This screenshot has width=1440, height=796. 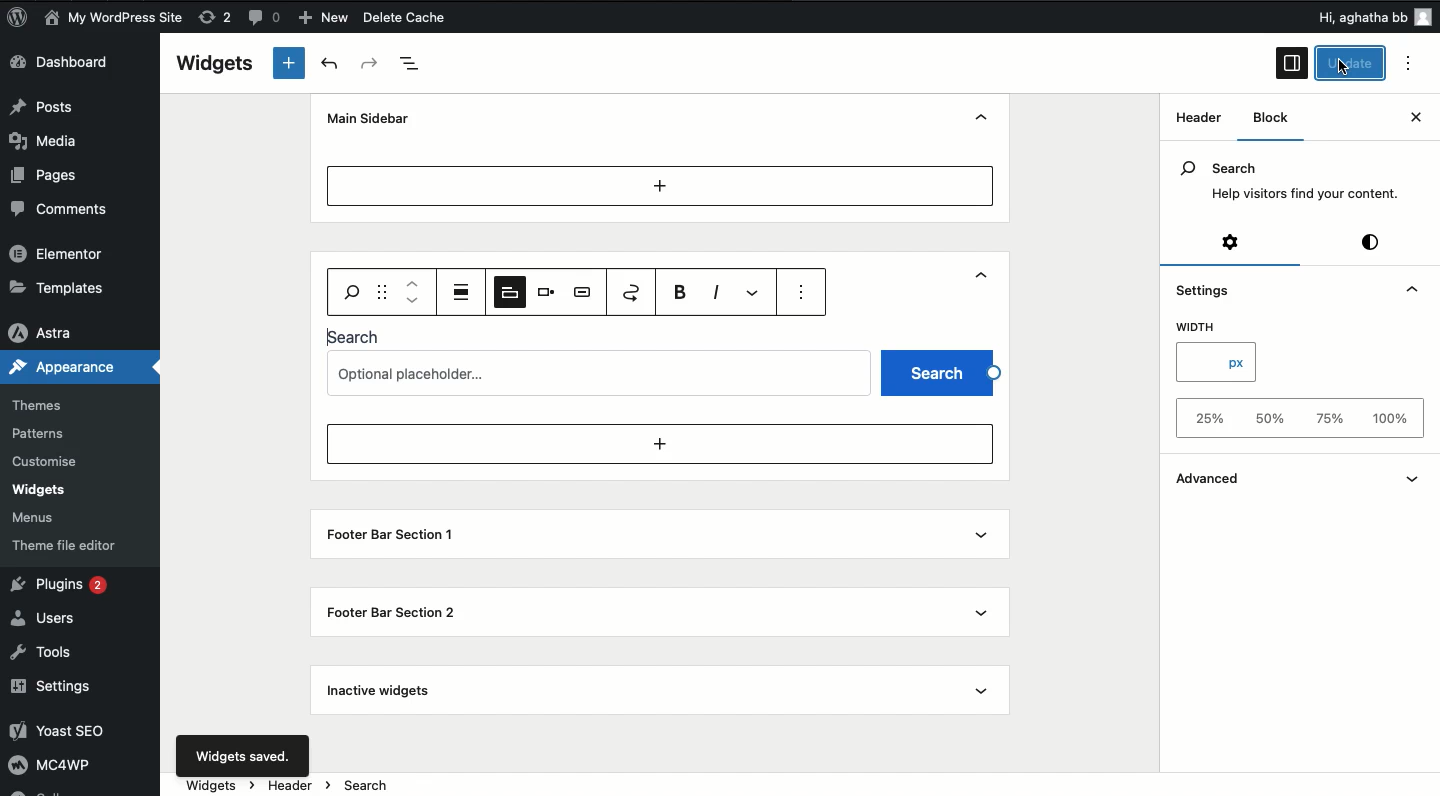 What do you see at coordinates (48, 400) in the screenshot?
I see `Themes` at bounding box center [48, 400].